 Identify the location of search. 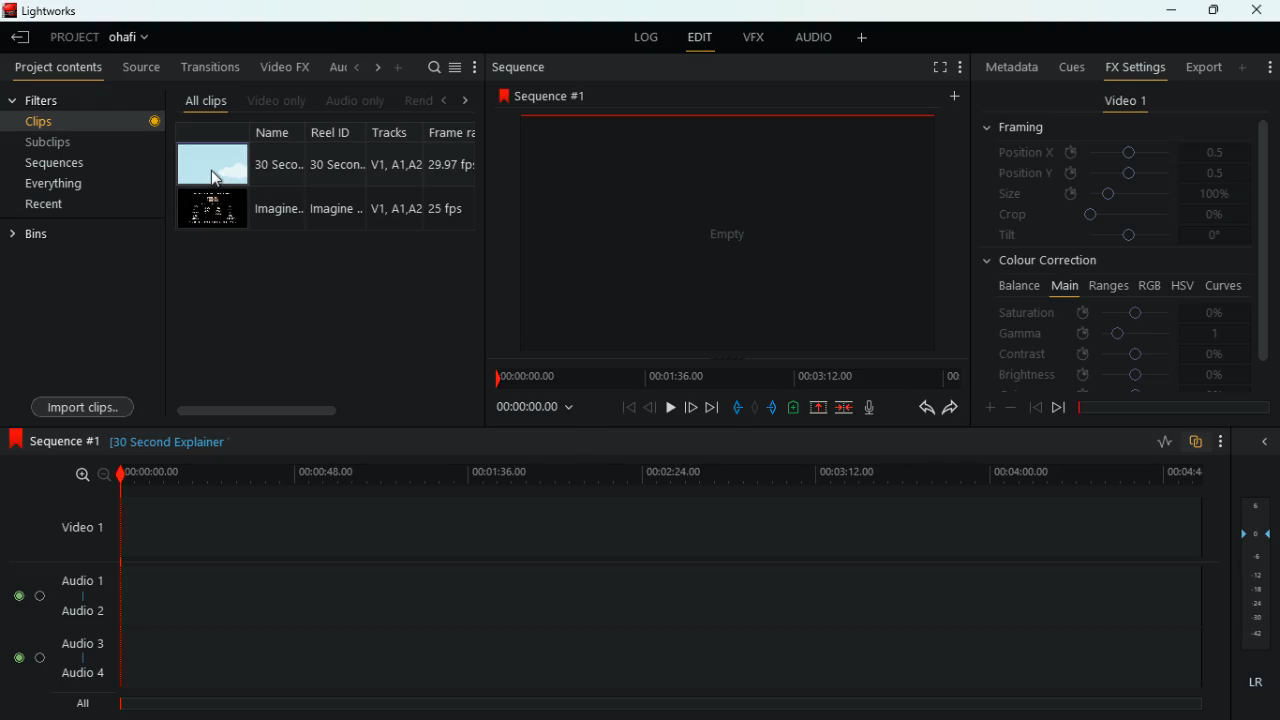
(430, 68).